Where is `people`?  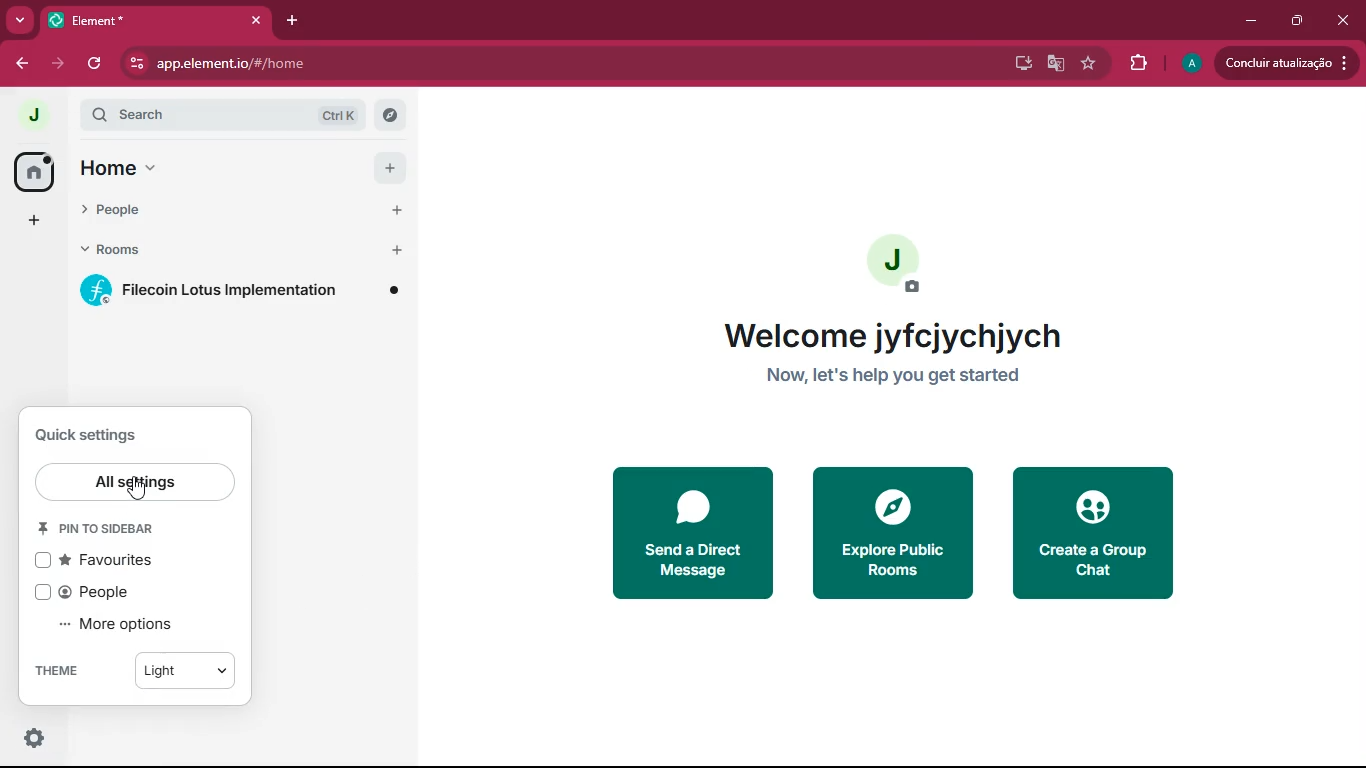
people is located at coordinates (136, 212).